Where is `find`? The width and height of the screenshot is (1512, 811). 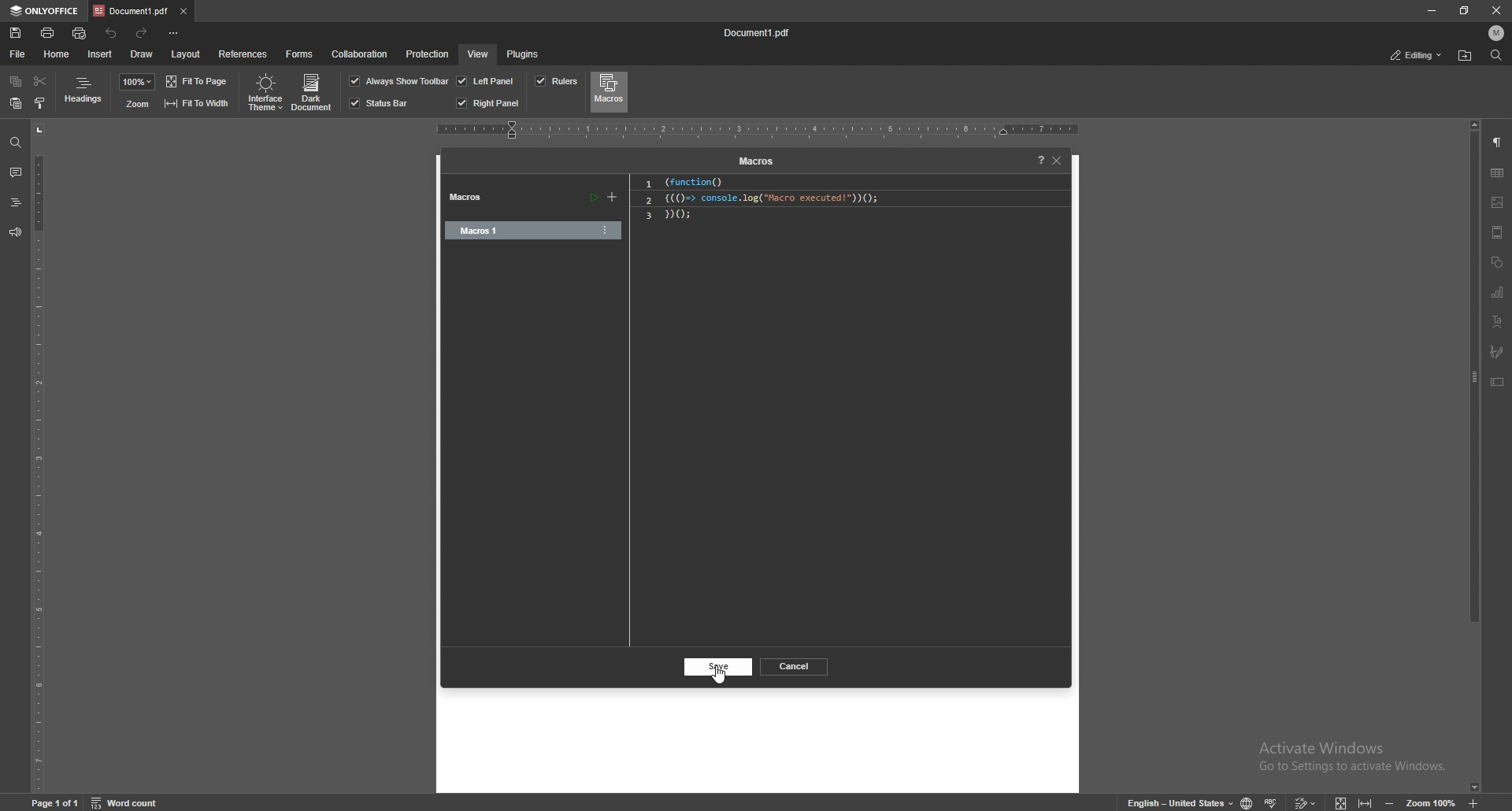
find is located at coordinates (1495, 56).